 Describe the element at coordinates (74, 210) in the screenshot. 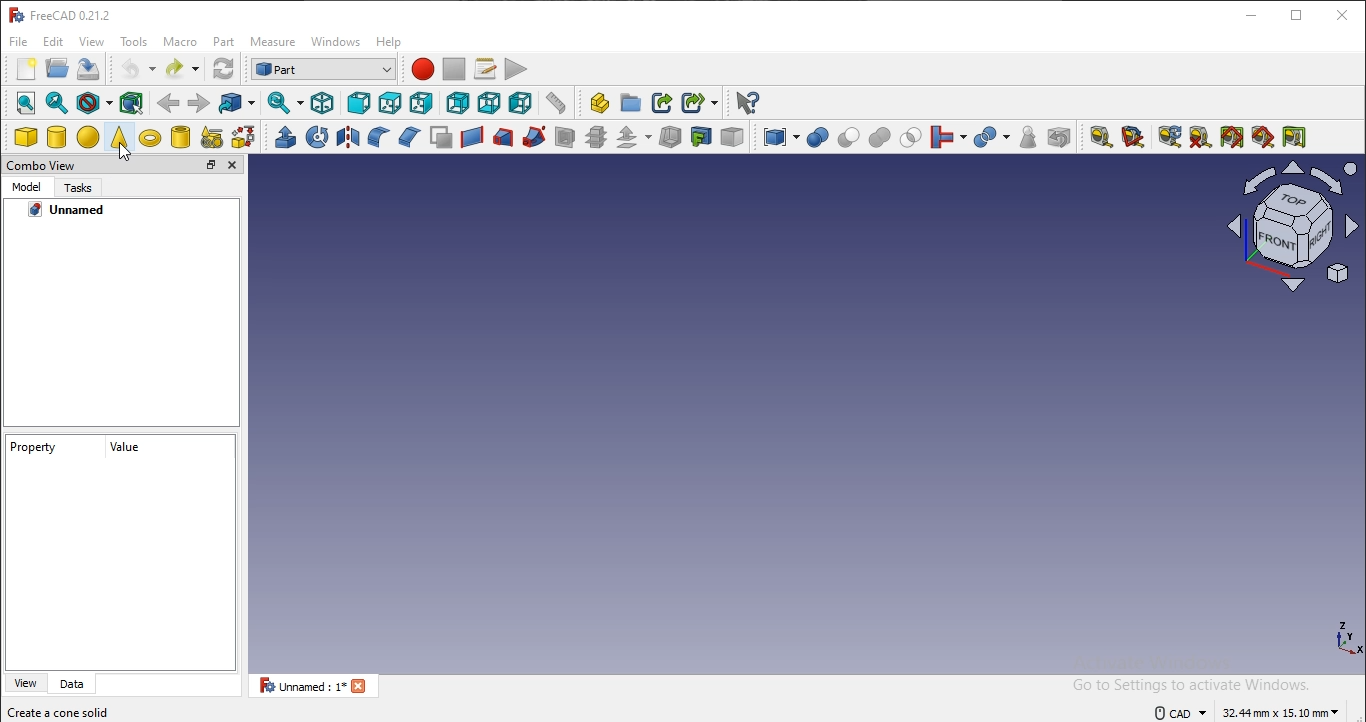

I see `unnamed` at that location.